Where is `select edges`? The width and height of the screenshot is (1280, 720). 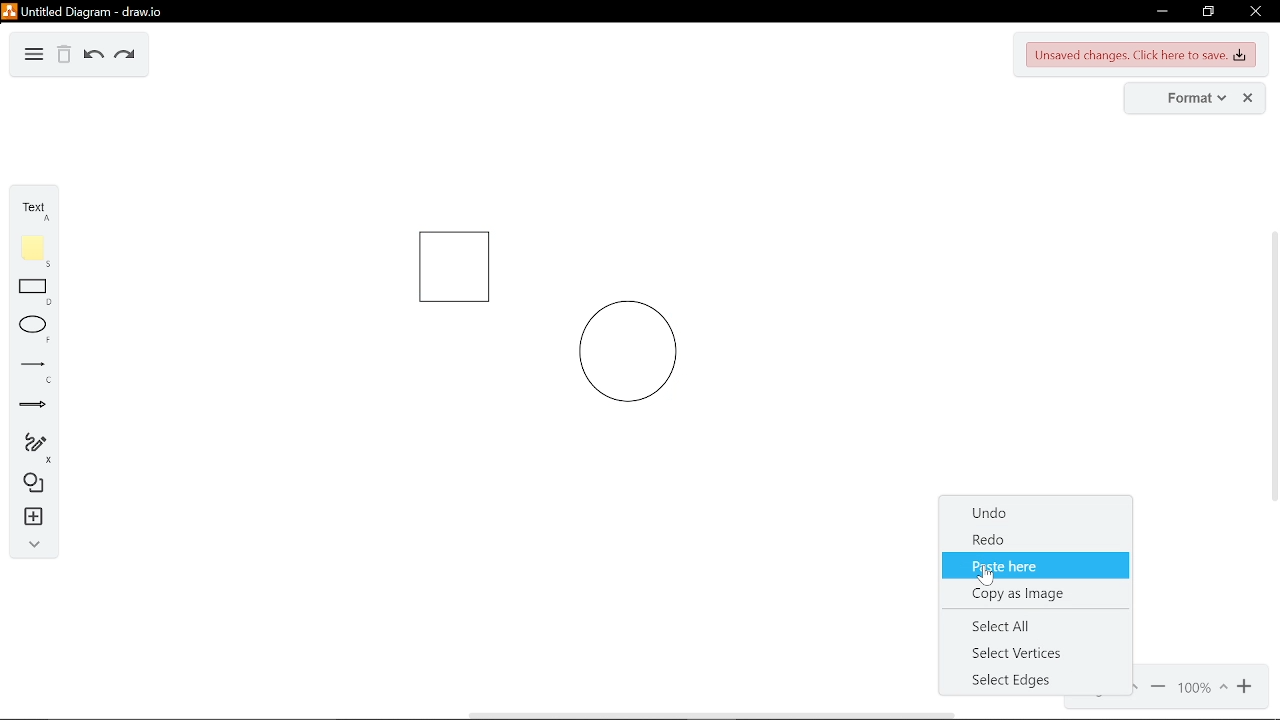
select edges is located at coordinates (1038, 678).